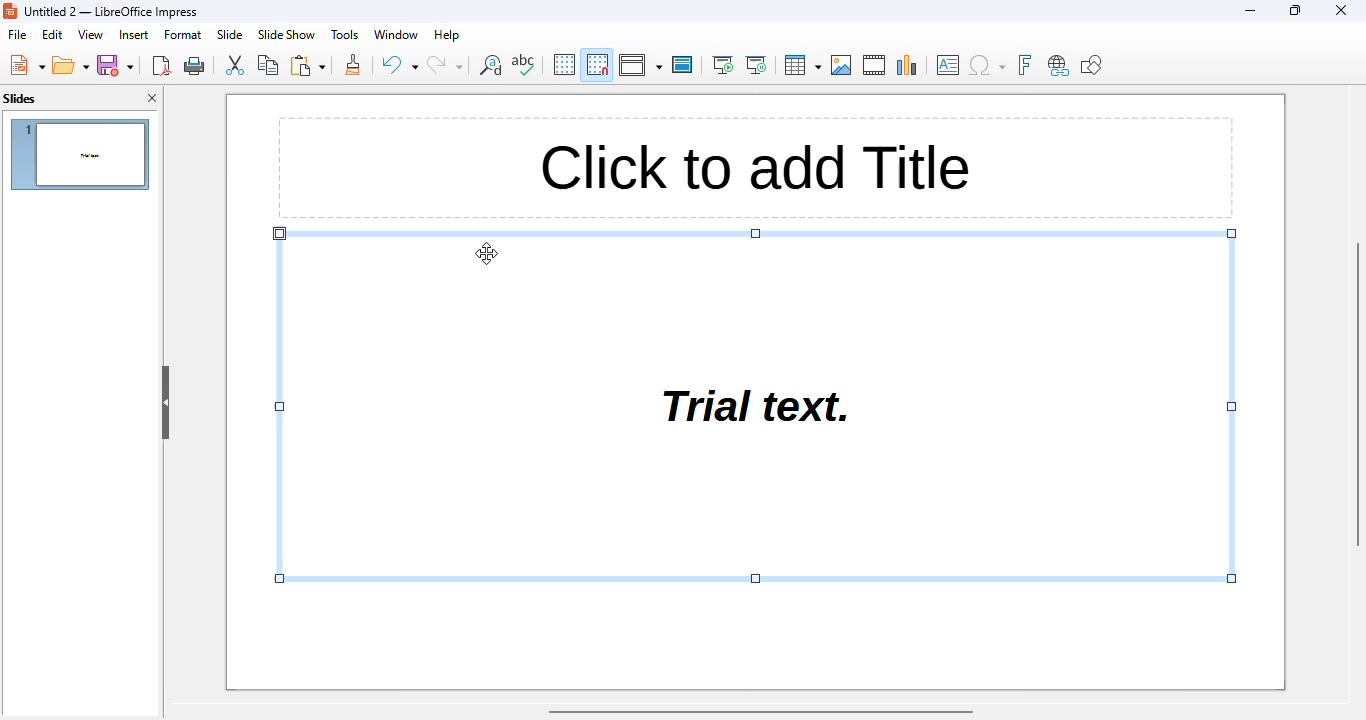 The height and width of the screenshot is (720, 1366). Describe the element at coordinates (92, 35) in the screenshot. I see `view` at that location.